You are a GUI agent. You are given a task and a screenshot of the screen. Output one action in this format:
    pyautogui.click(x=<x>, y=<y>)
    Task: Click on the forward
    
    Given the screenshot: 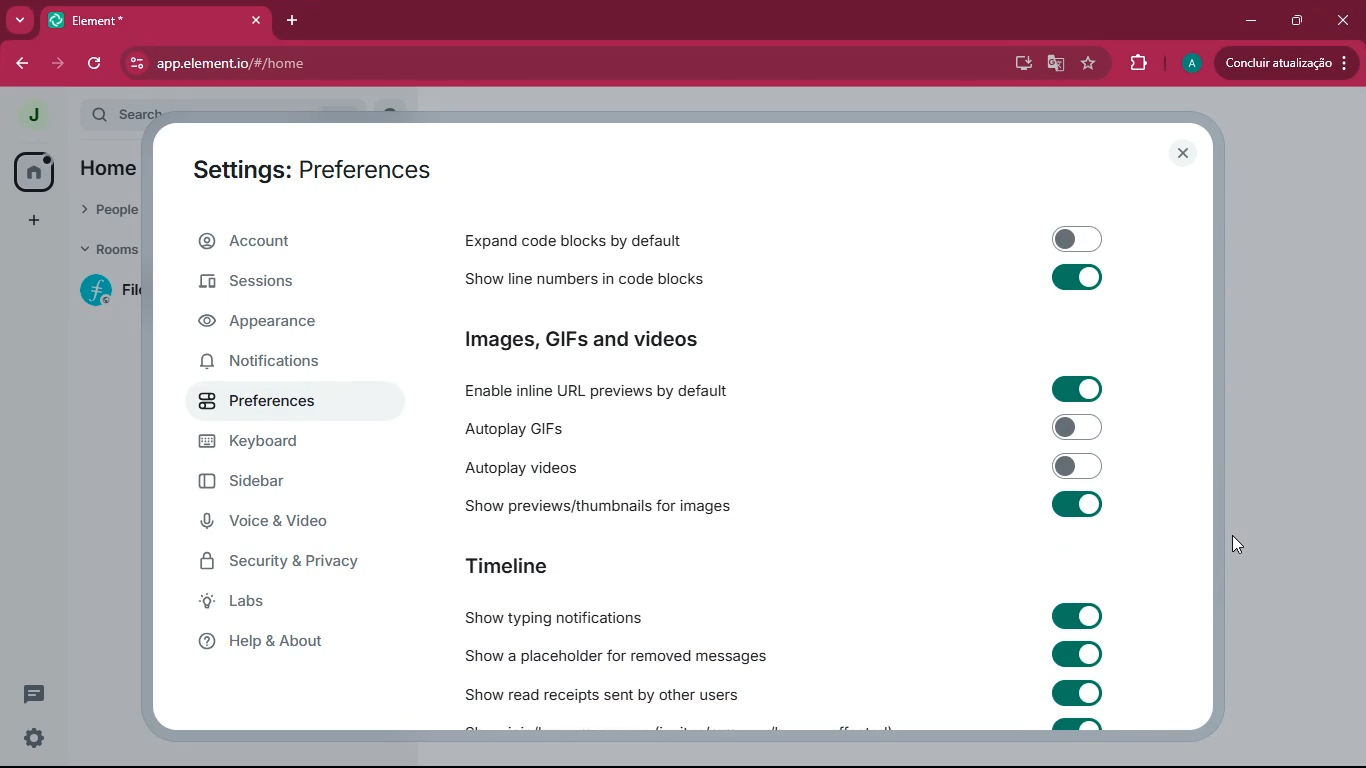 What is the action you would take?
    pyautogui.click(x=20, y=65)
    